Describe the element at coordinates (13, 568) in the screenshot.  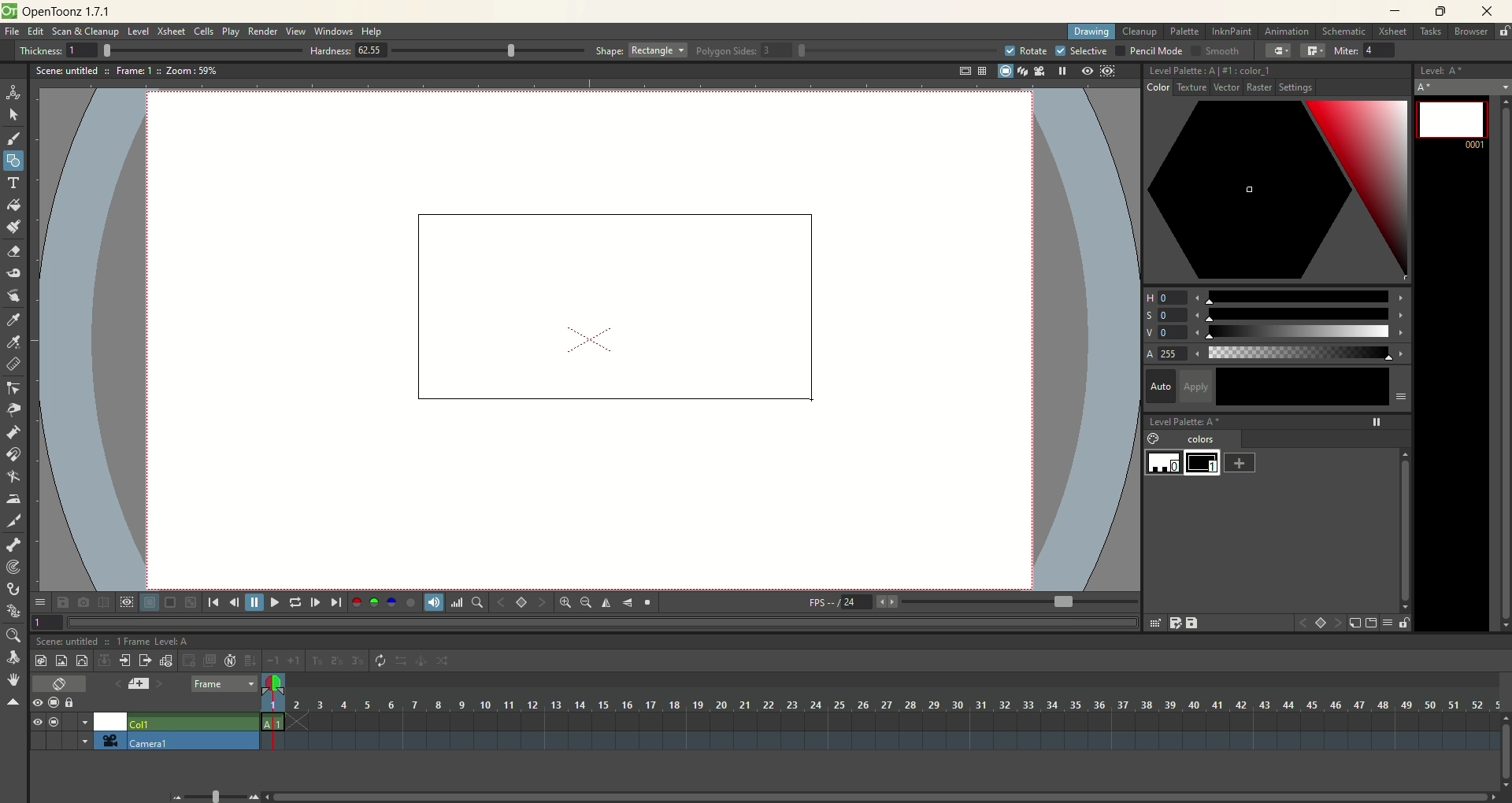
I see `tracker ` at that location.